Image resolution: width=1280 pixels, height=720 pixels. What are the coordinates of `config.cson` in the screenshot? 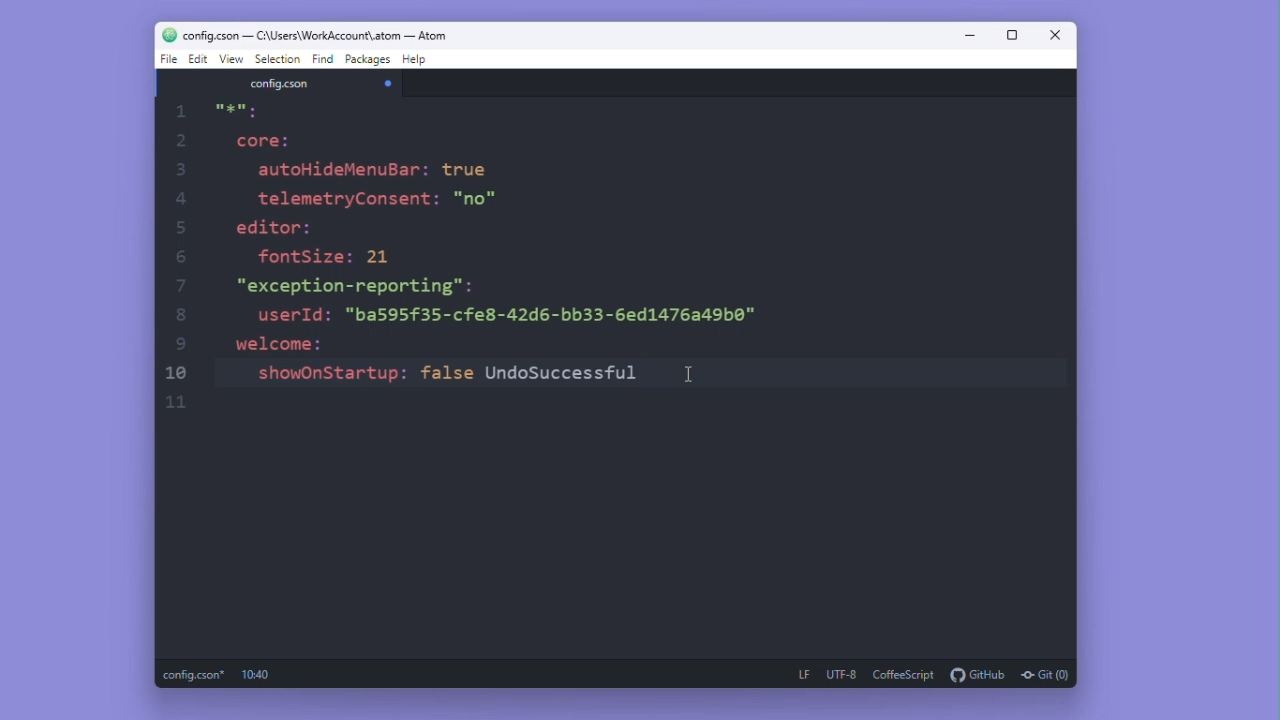 It's located at (280, 85).